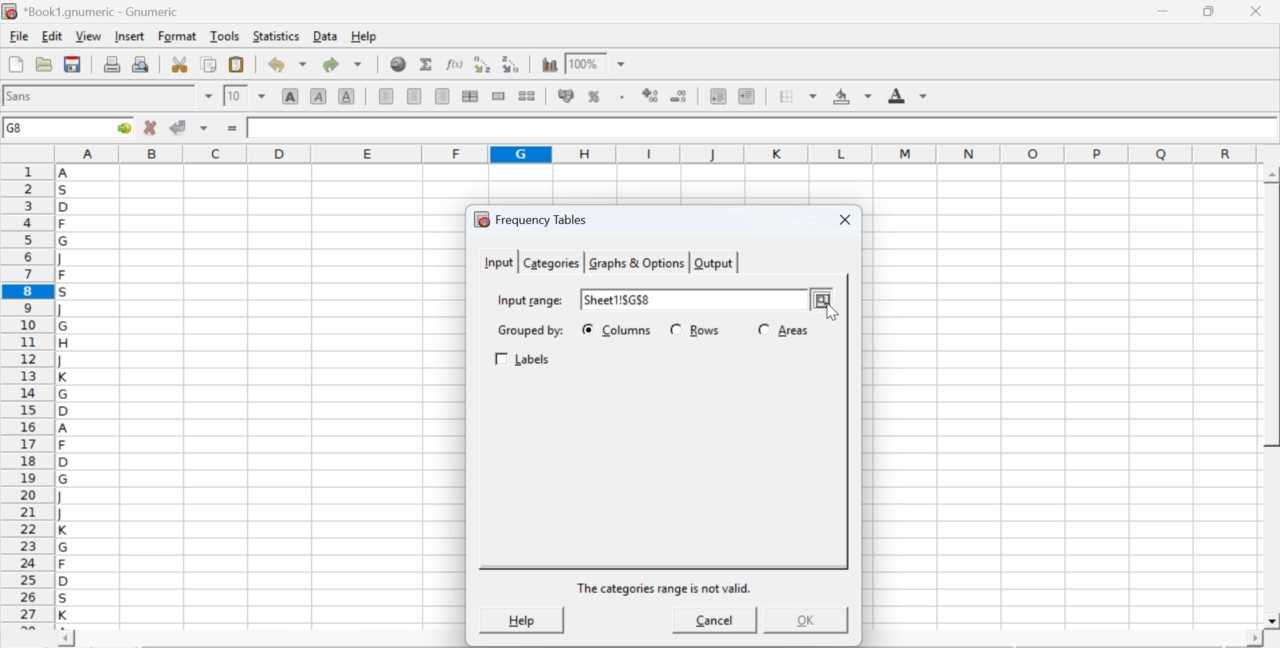 Image resolution: width=1280 pixels, height=648 pixels. What do you see at coordinates (618, 301) in the screenshot?
I see `sheet1!$G$8` at bounding box center [618, 301].